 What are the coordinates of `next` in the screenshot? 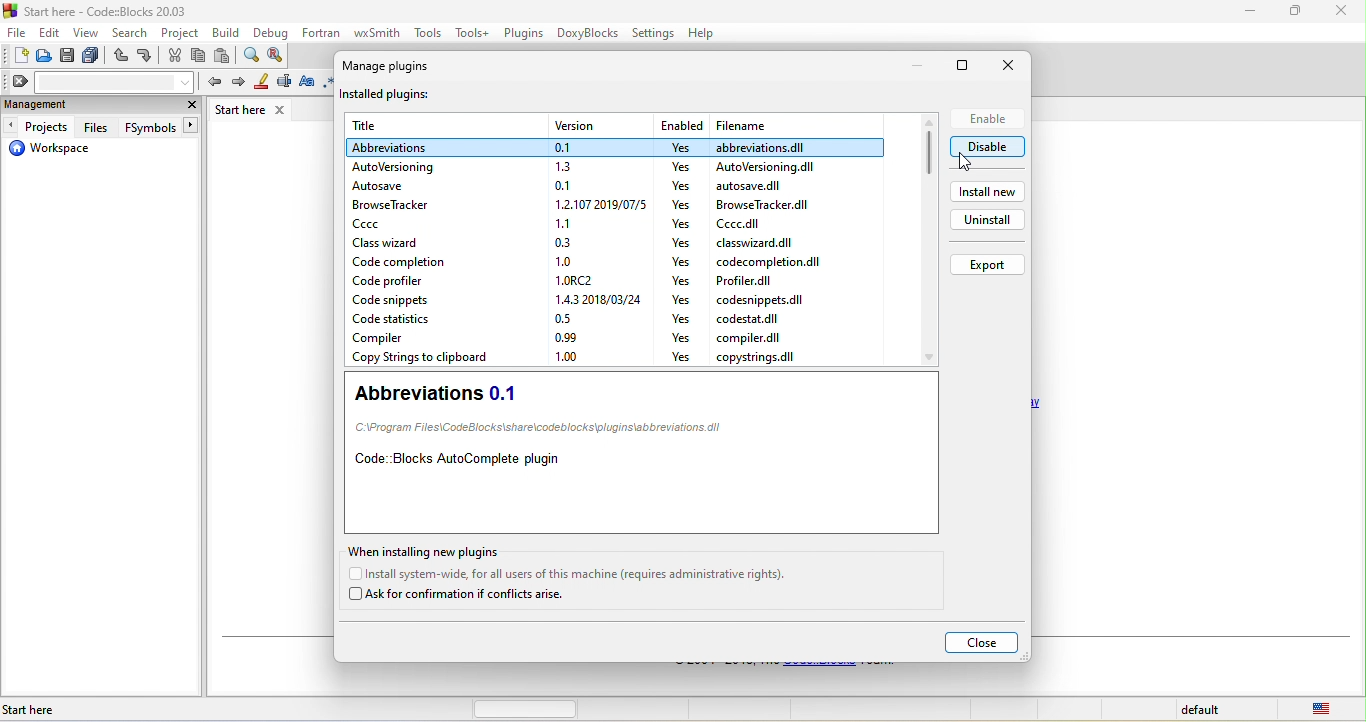 It's located at (236, 82).